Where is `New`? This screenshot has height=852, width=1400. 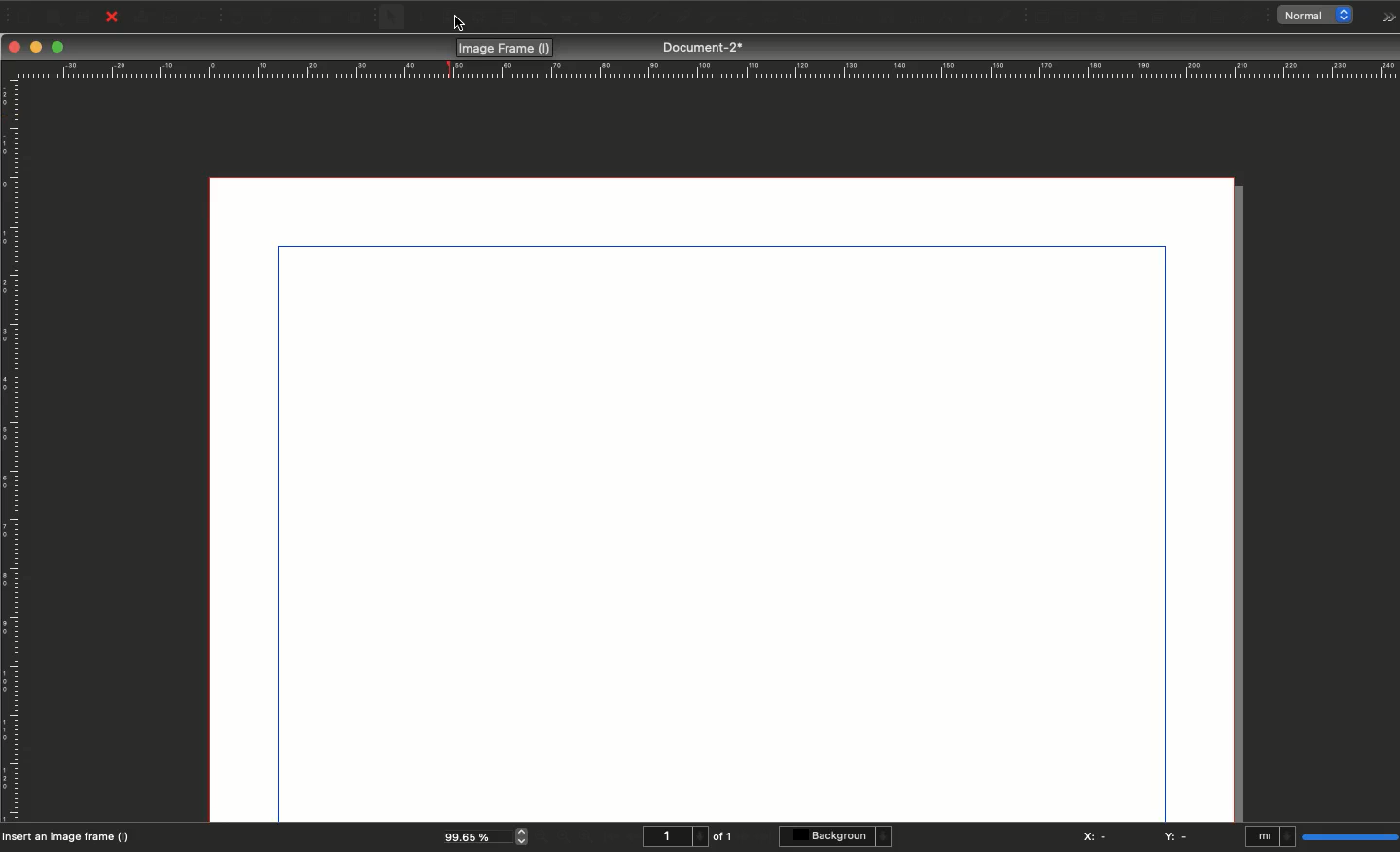
New is located at coordinates (21, 15).